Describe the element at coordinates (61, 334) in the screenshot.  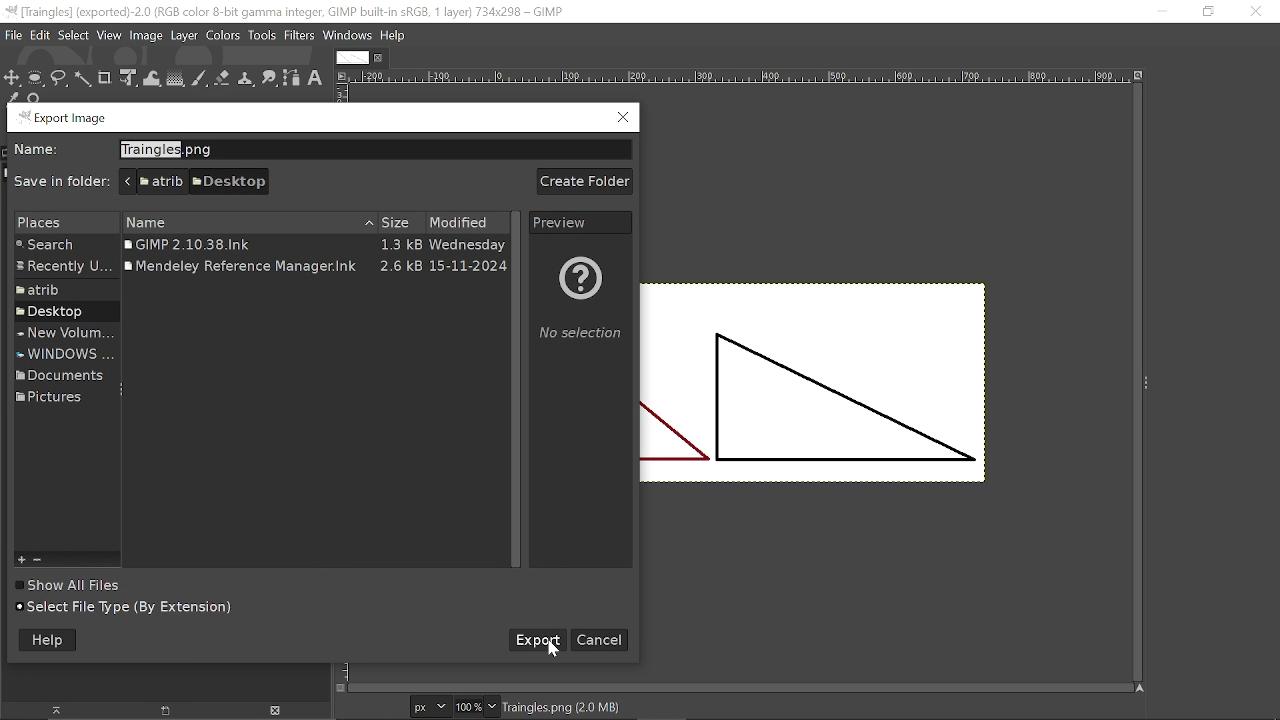
I see `folder` at that location.